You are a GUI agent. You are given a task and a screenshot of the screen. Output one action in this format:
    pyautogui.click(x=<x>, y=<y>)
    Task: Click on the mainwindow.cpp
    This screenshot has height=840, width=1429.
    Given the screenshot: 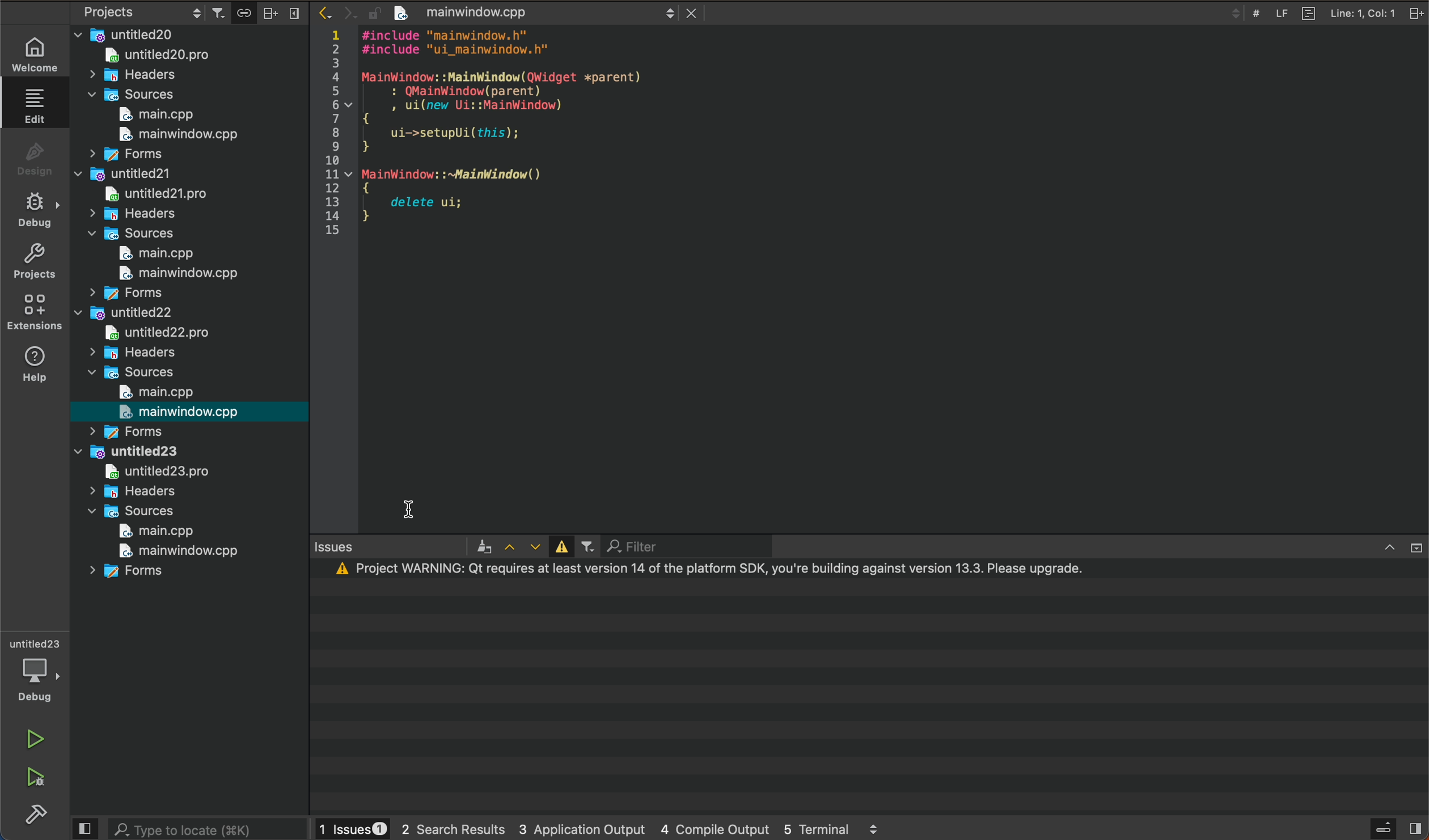 What is the action you would take?
    pyautogui.click(x=172, y=550)
    